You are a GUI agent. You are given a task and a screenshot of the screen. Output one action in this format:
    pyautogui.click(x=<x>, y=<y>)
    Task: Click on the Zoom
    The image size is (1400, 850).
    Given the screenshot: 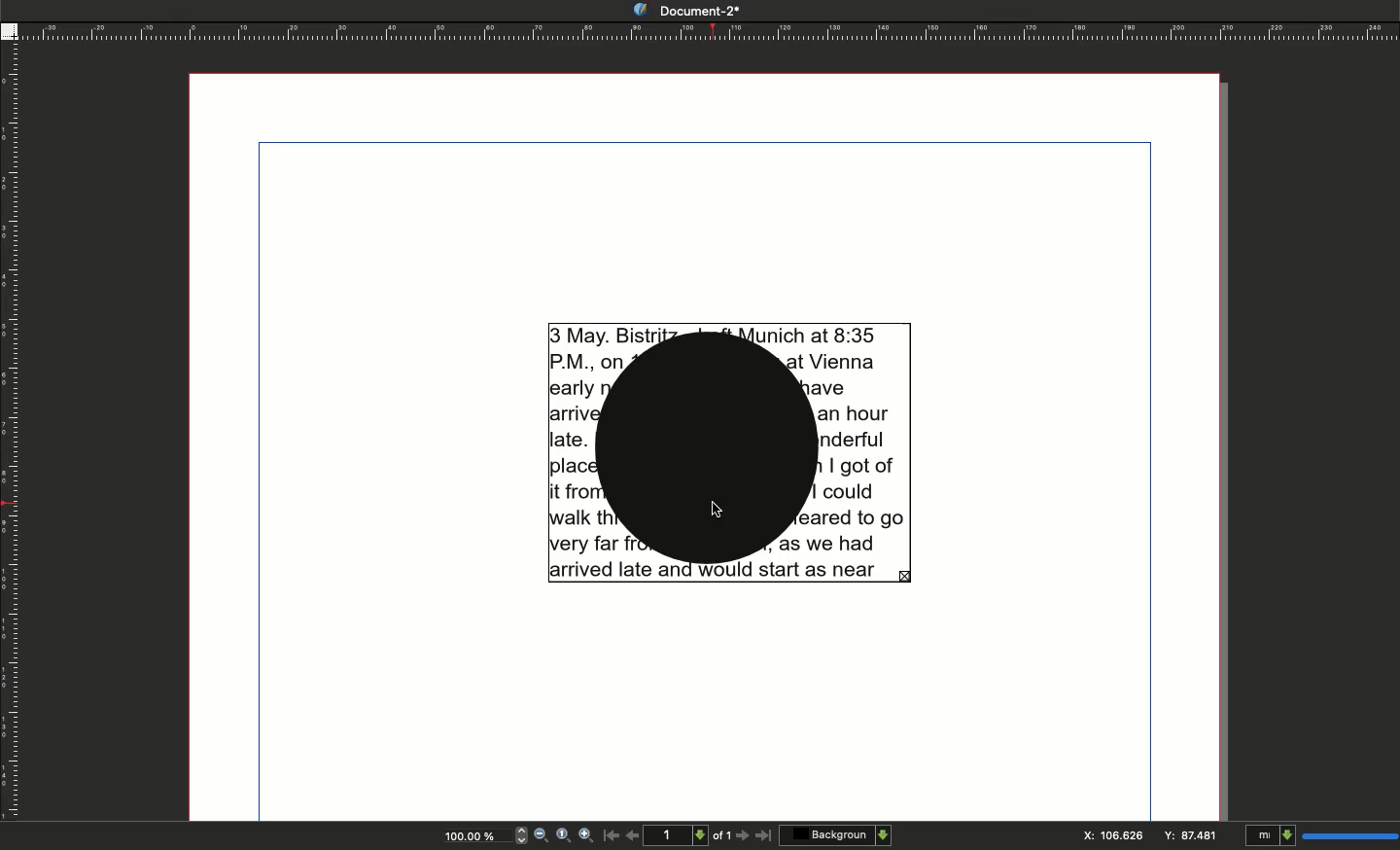 What is the action you would take?
    pyautogui.click(x=474, y=834)
    